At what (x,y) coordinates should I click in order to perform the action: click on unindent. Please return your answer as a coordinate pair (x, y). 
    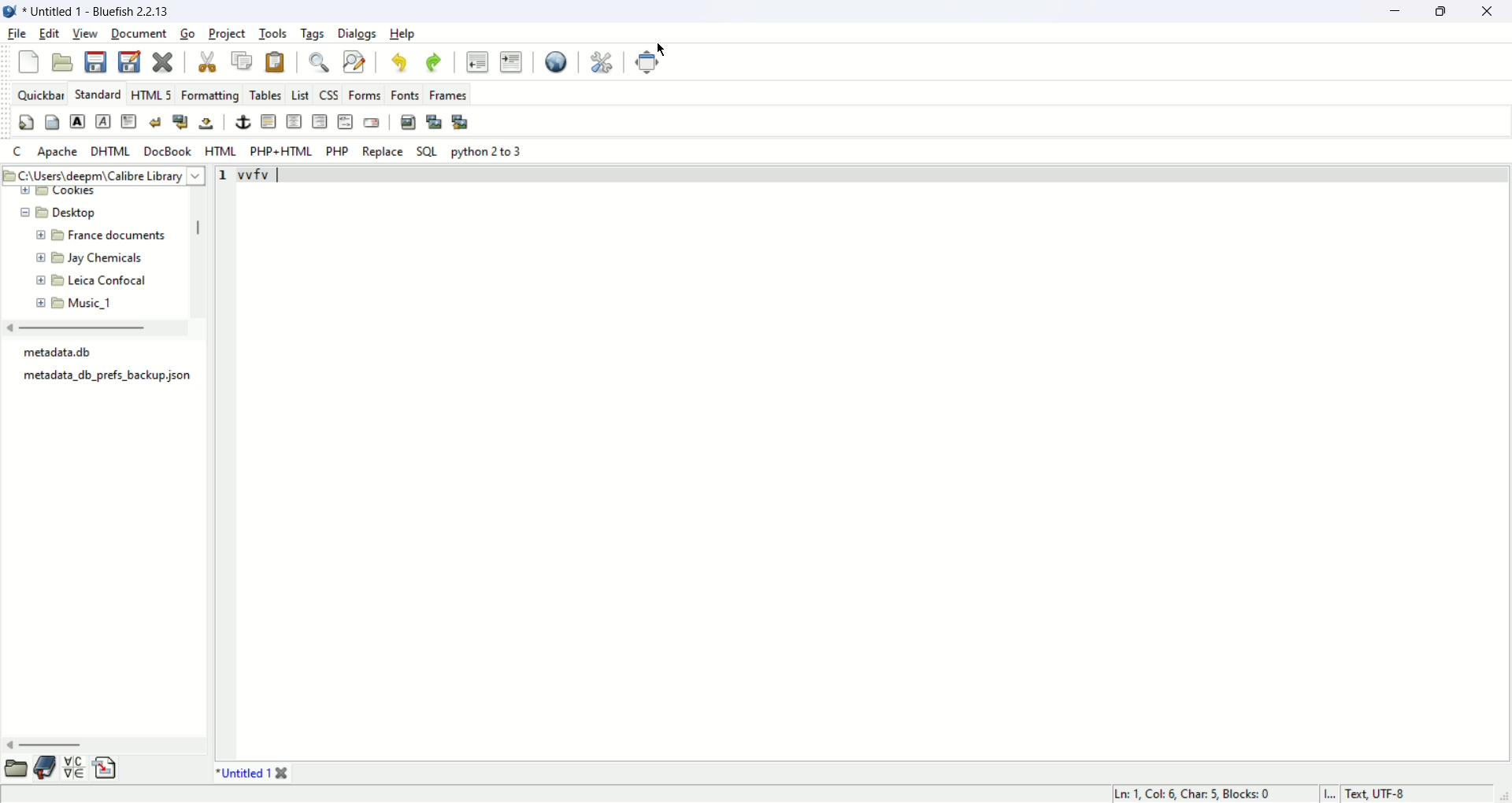
    Looking at the image, I should click on (477, 61).